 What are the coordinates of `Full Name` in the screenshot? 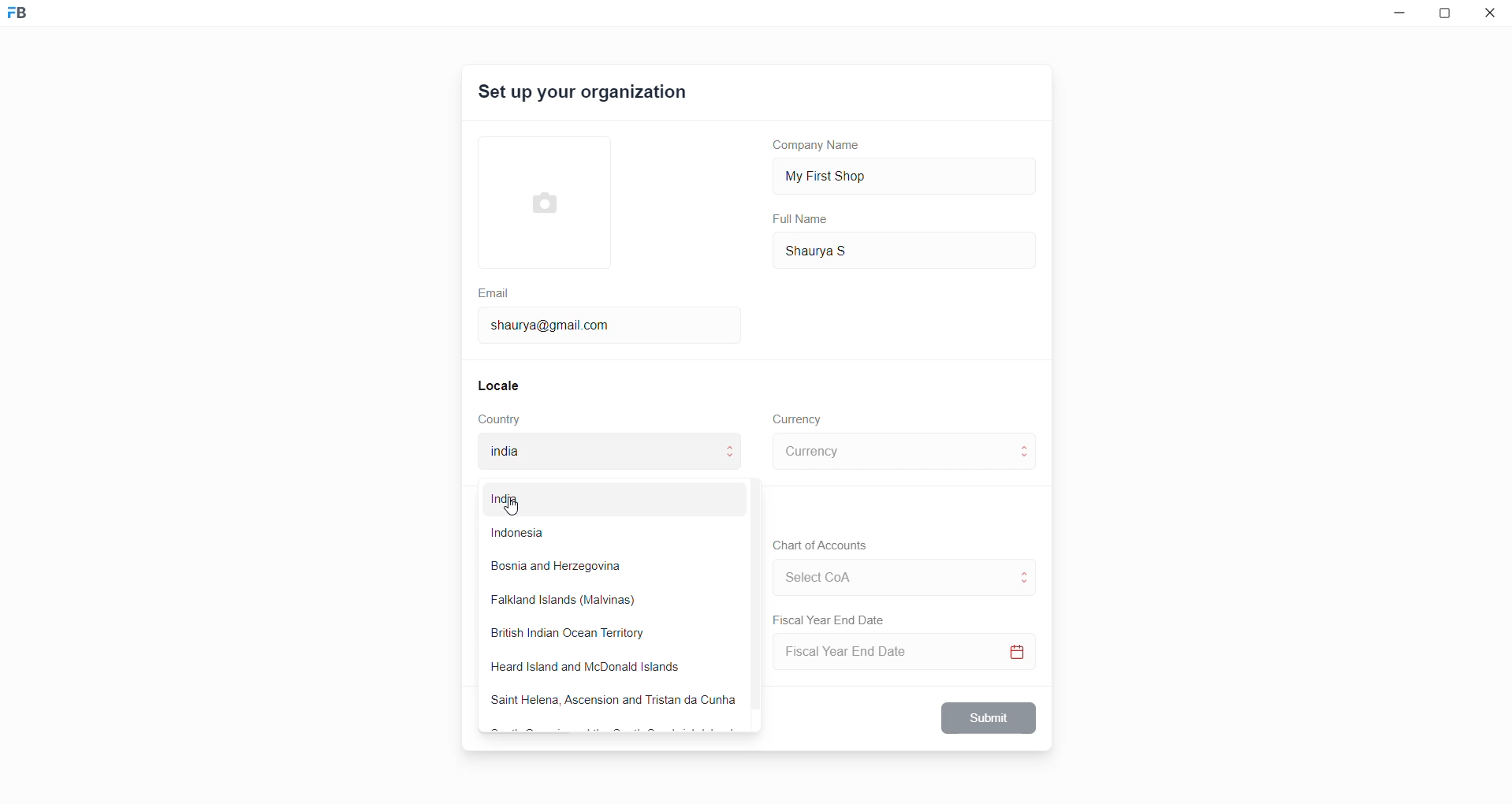 It's located at (802, 219).